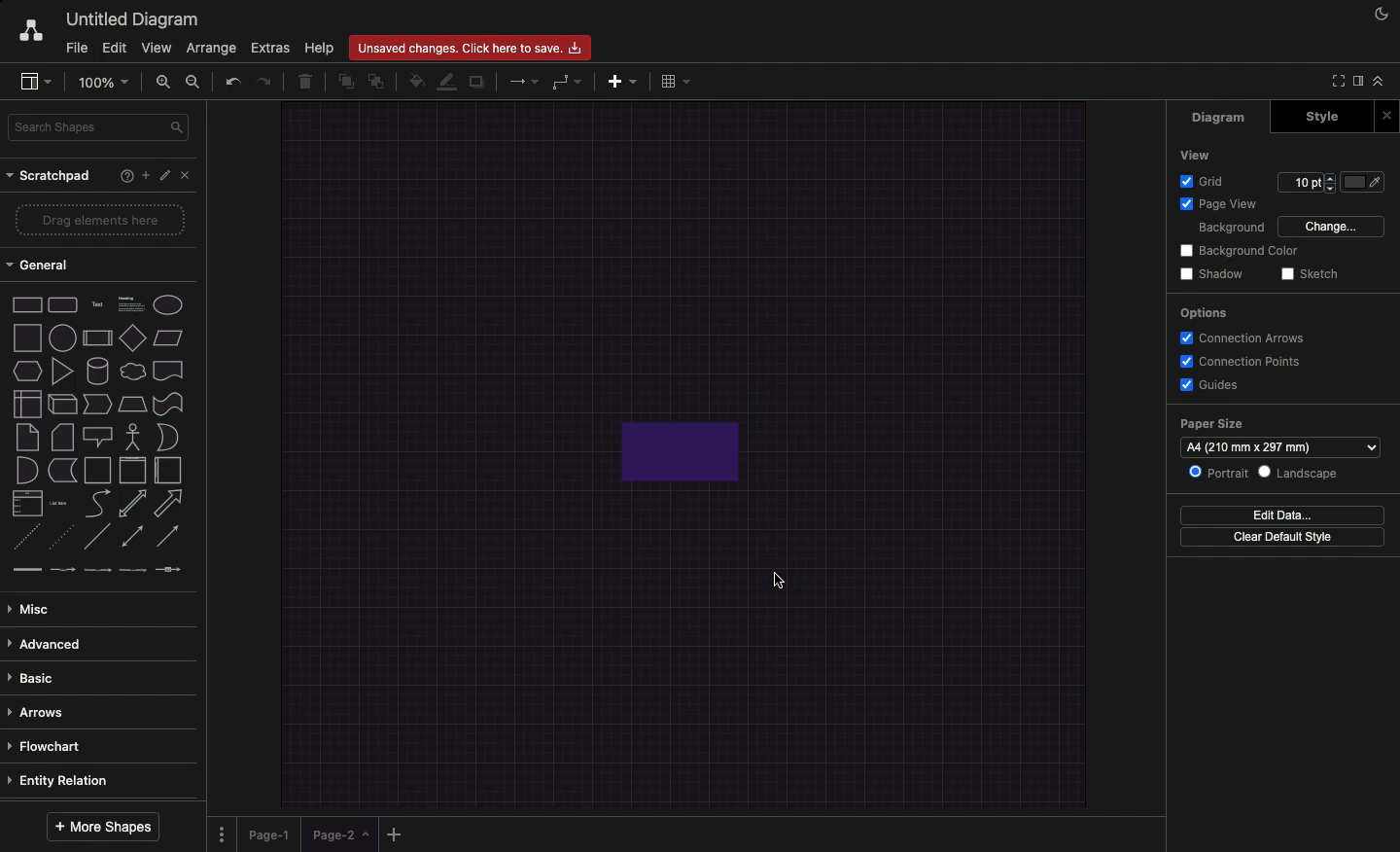  Describe the element at coordinates (1356, 80) in the screenshot. I see `Sidebar` at that location.